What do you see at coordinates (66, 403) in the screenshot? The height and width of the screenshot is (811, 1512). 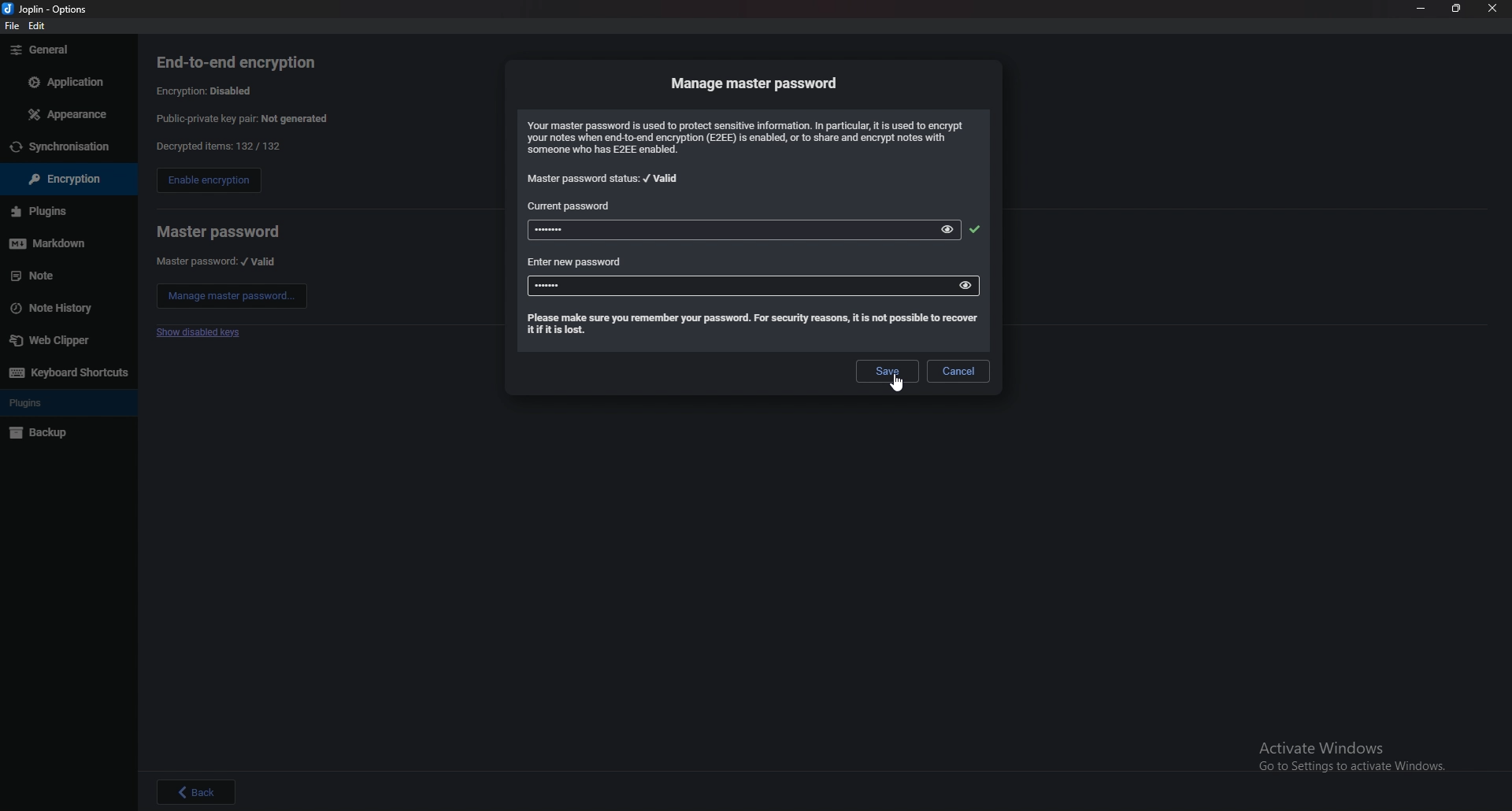 I see `plugins` at bounding box center [66, 403].